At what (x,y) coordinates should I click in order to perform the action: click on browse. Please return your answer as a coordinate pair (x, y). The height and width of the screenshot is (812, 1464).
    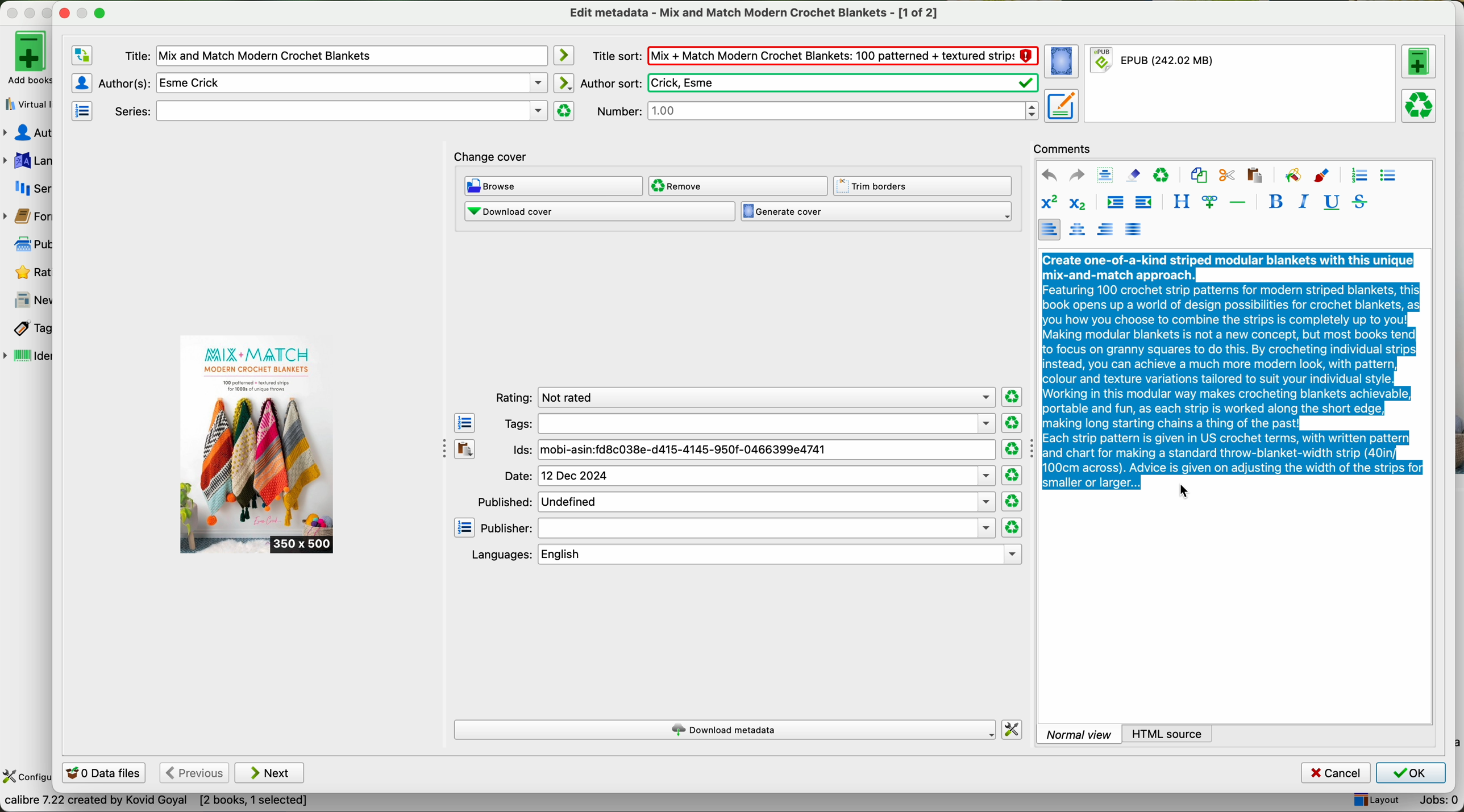
    Looking at the image, I should click on (554, 187).